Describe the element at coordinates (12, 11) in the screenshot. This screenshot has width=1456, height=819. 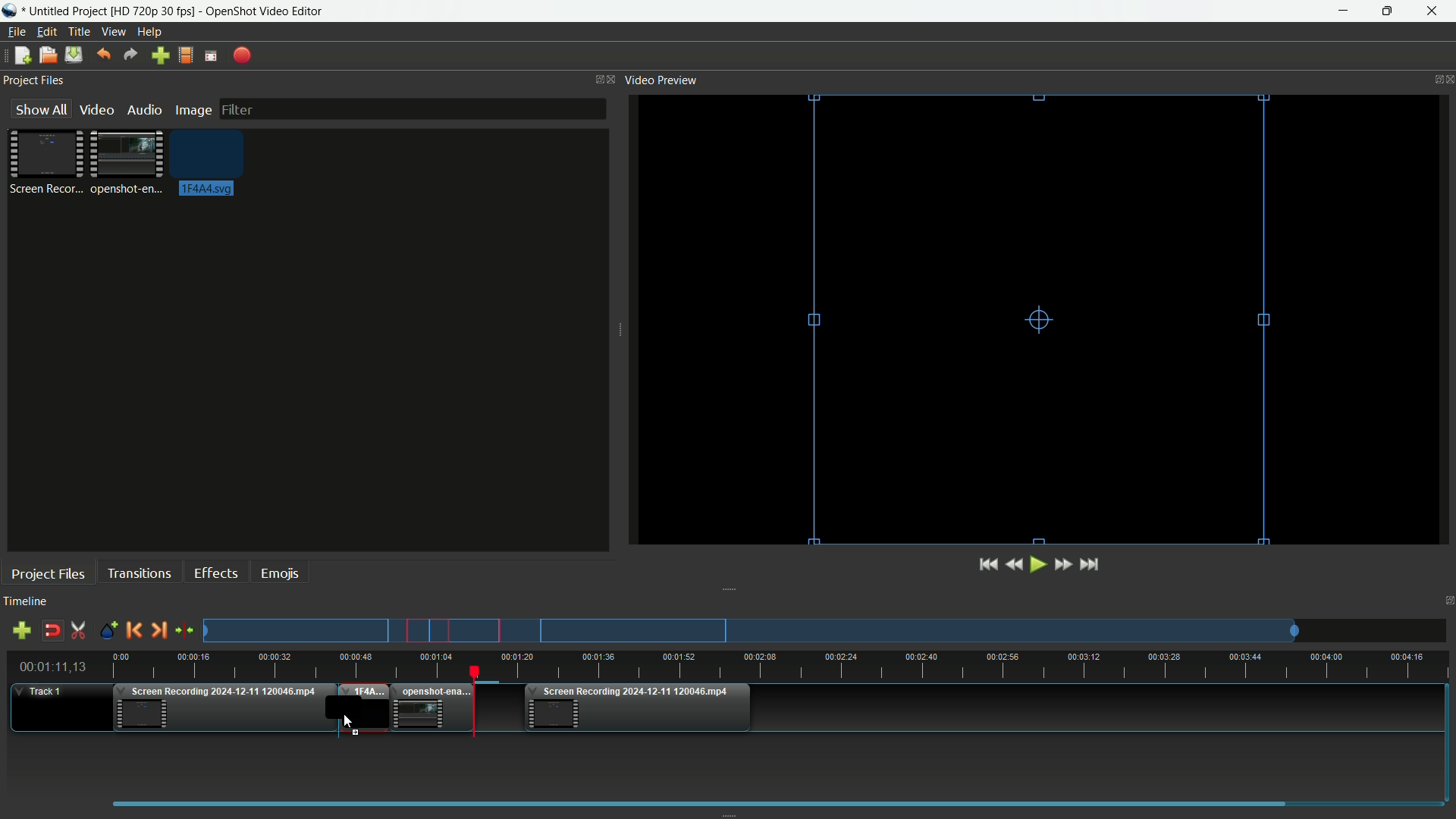
I see `App icon` at that location.